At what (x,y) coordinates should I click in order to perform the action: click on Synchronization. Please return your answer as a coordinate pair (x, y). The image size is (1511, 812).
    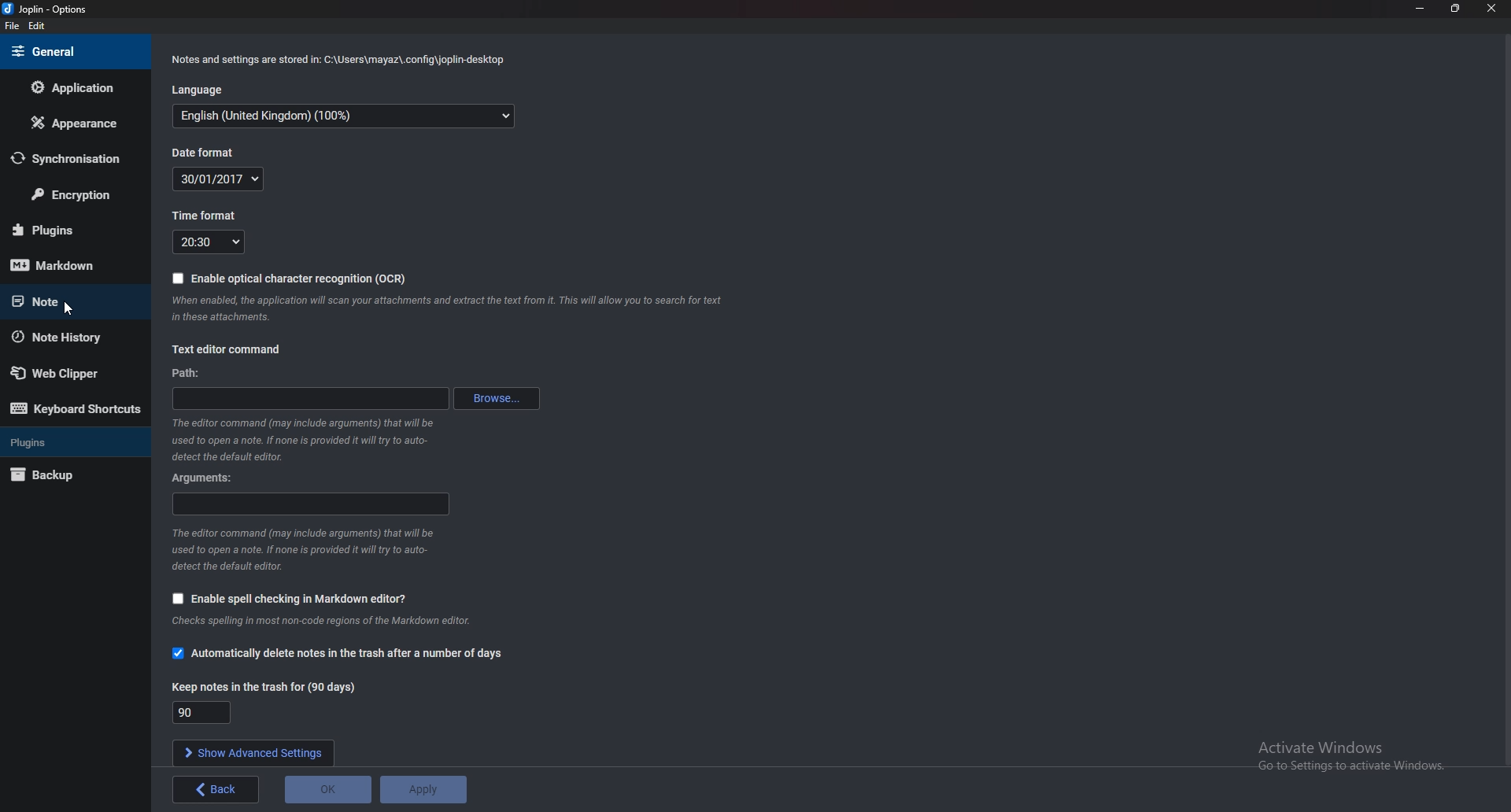
    Looking at the image, I should click on (73, 158).